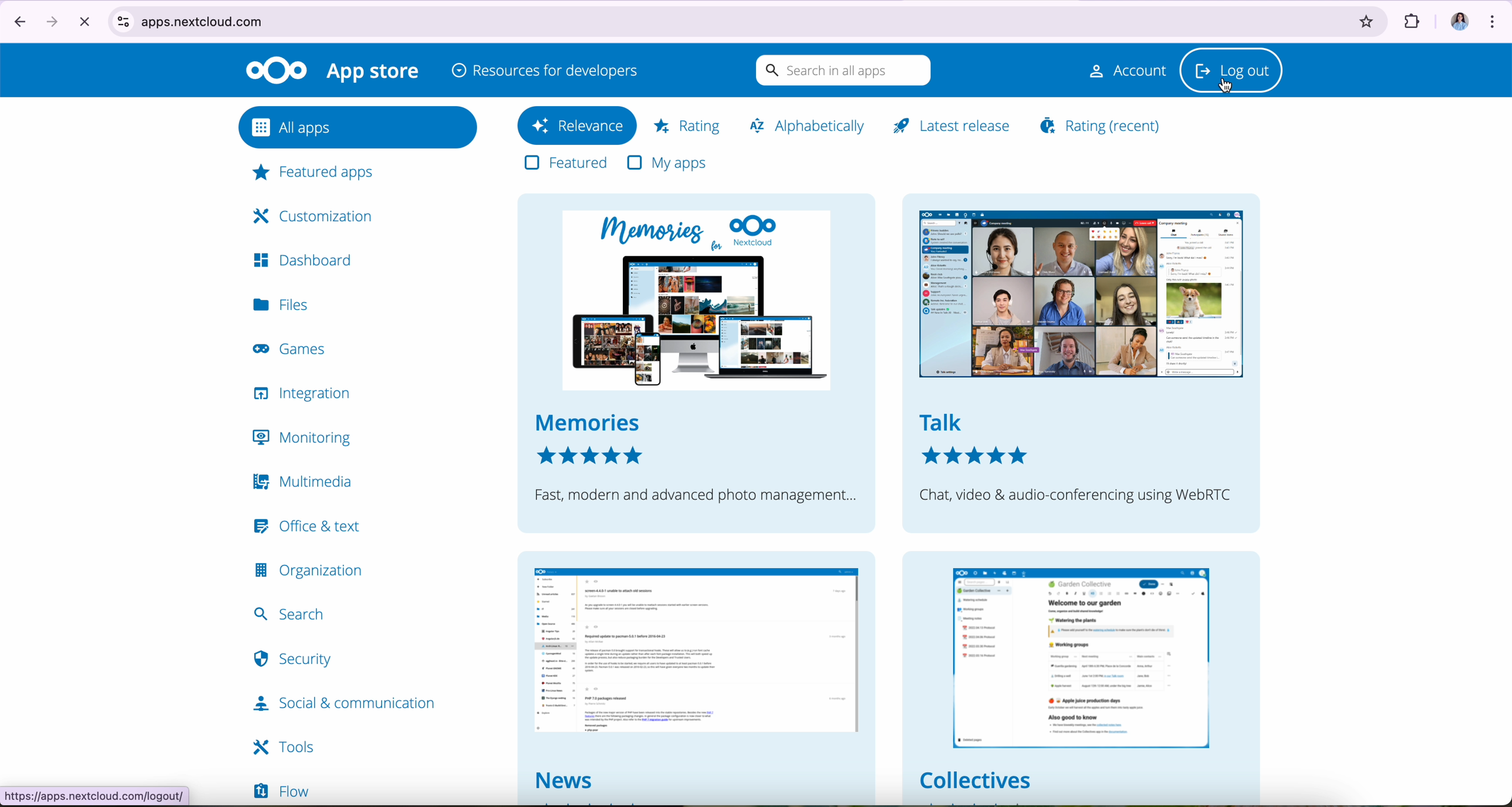 The height and width of the screenshot is (807, 1512). What do you see at coordinates (359, 126) in the screenshot?
I see `all apps button` at bounding box center [359, 126].